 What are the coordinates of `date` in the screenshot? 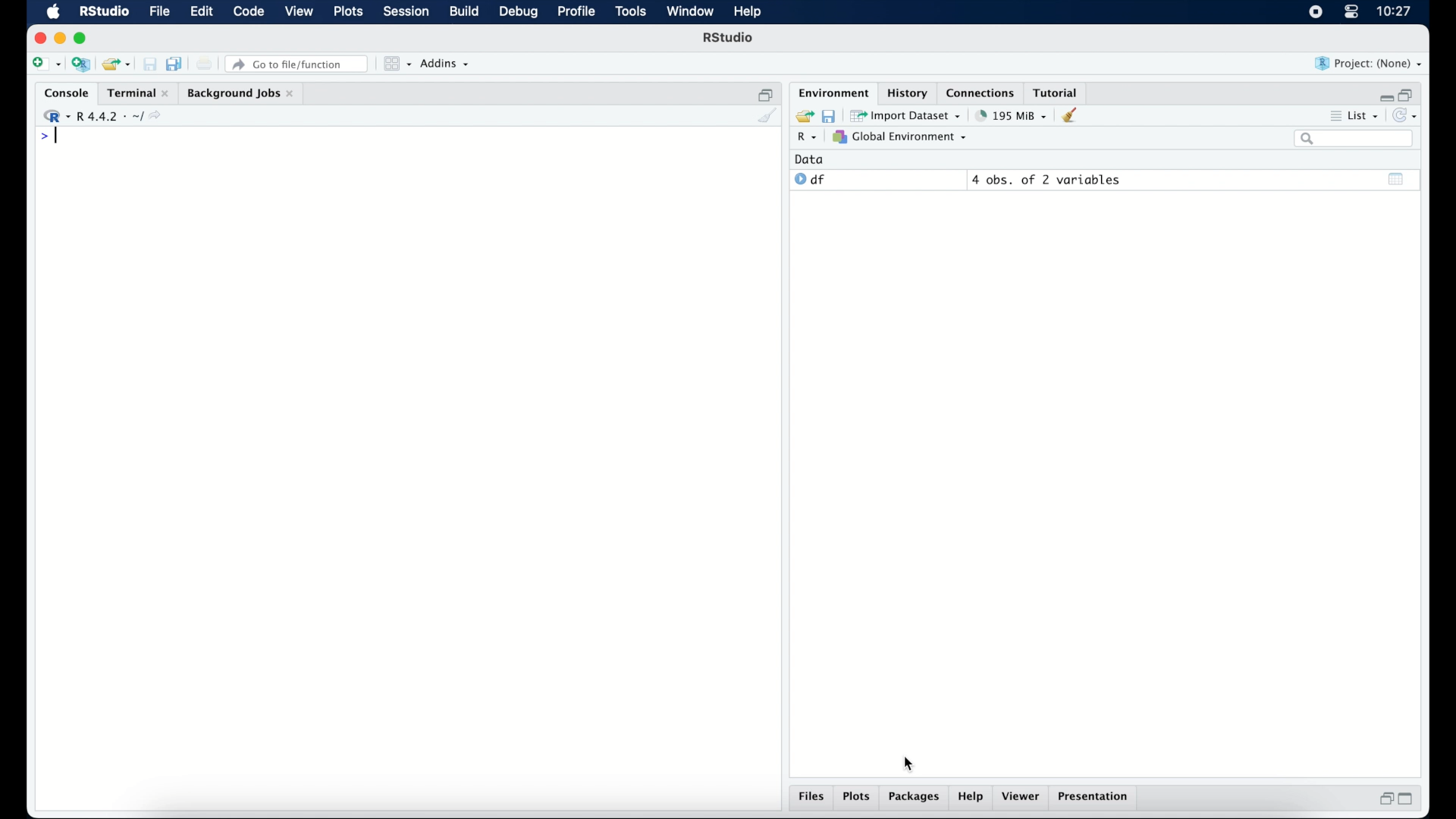 It's located at (810, 158).